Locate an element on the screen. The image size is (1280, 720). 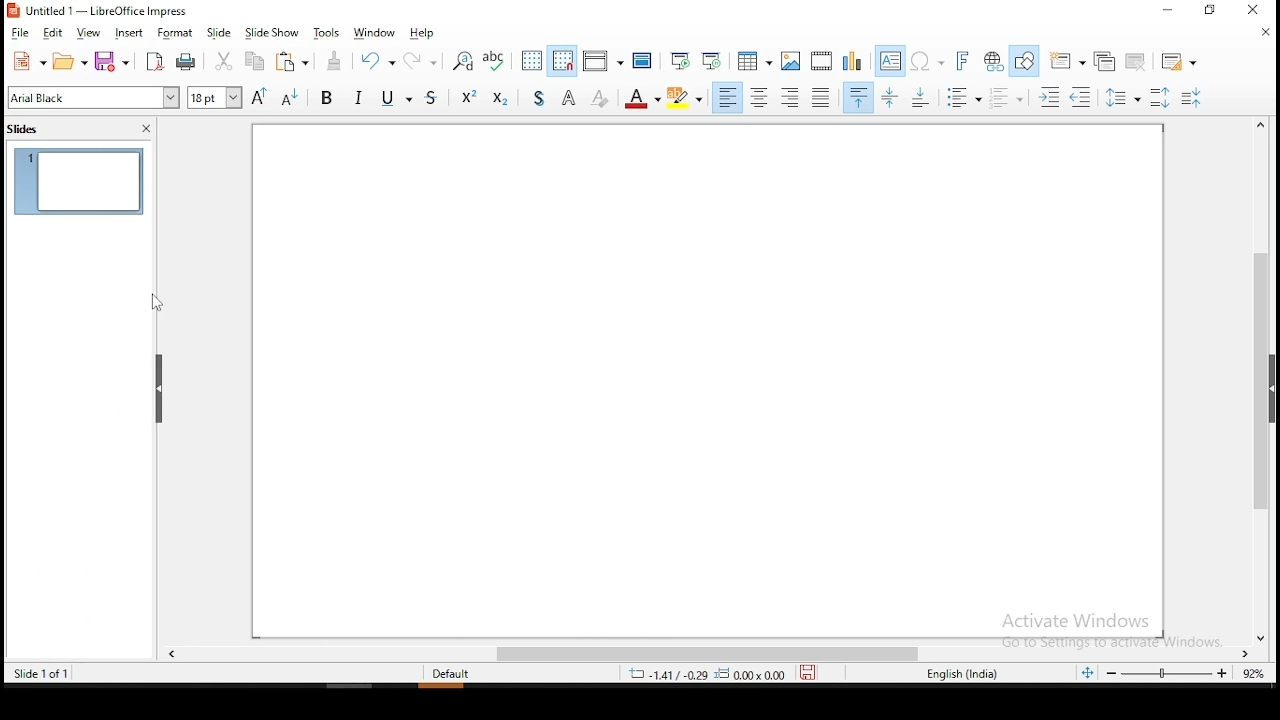
19.59/-0.26 is located at coordinates (661, 674).